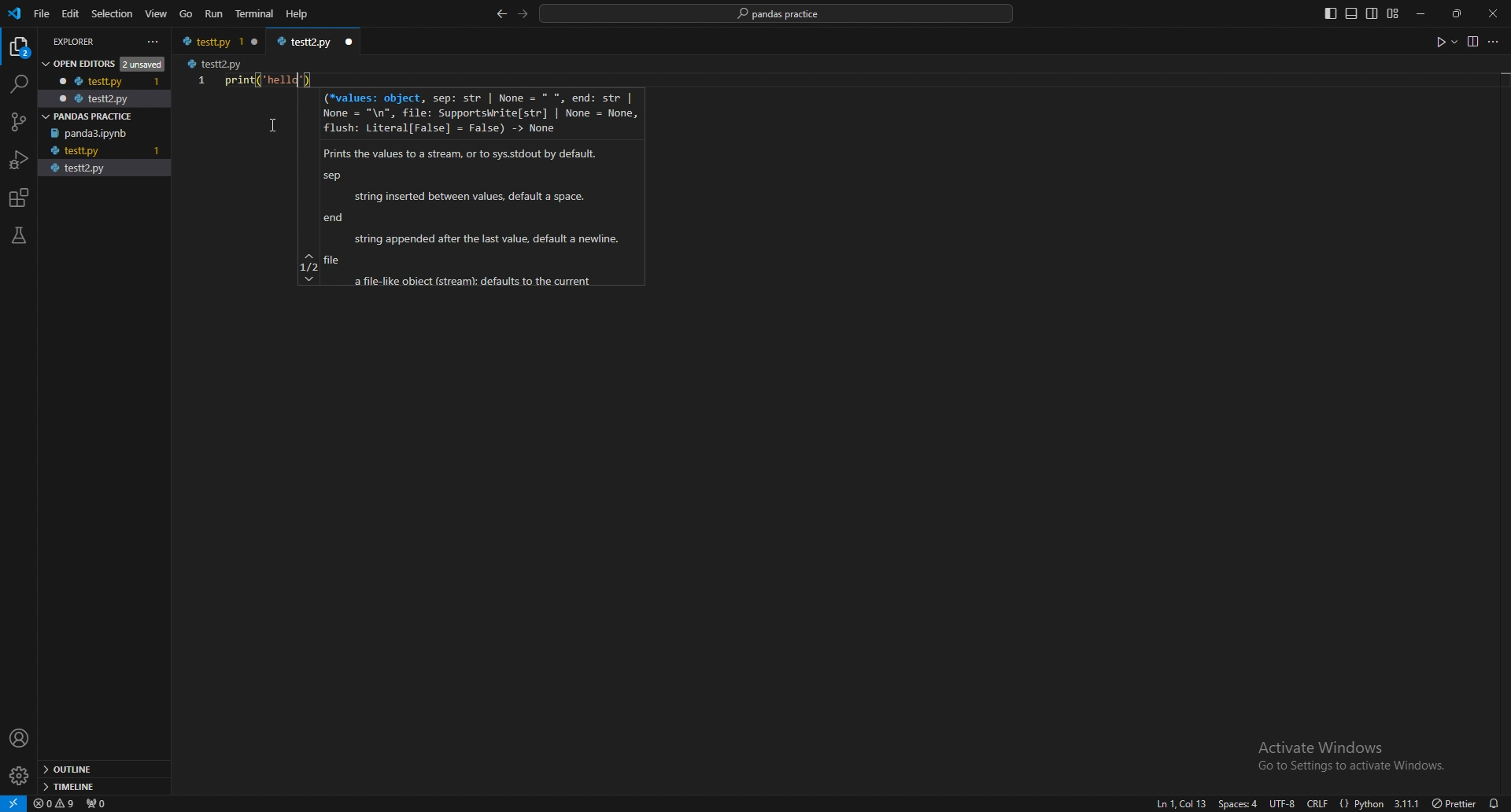 The height and width of the screenshot is (812, 1511). What do you see at coordinates (72, 13) in the screenshot?
I see `edit` at bounding box center [72, 13].